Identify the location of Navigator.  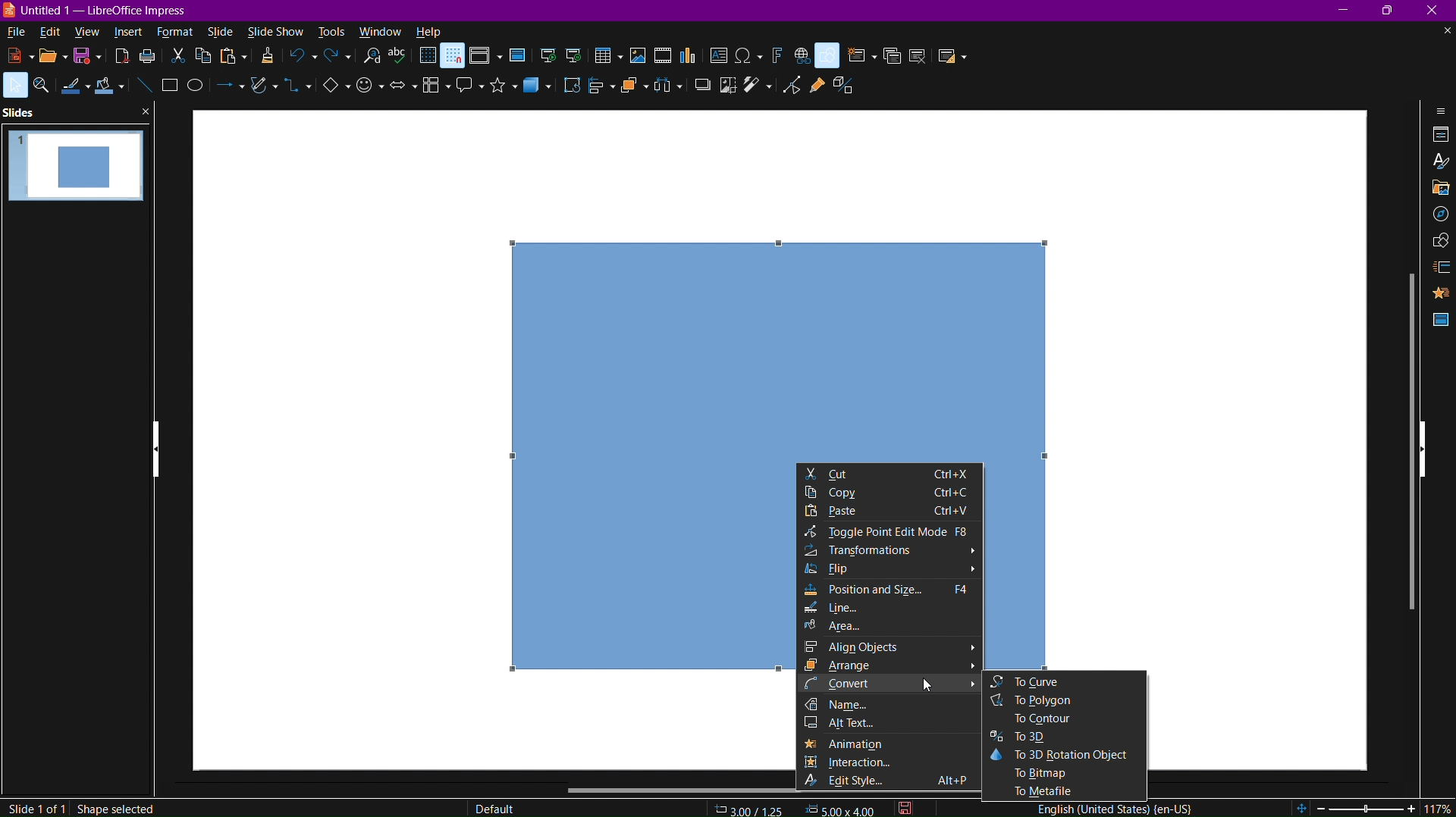
(1437, 218).